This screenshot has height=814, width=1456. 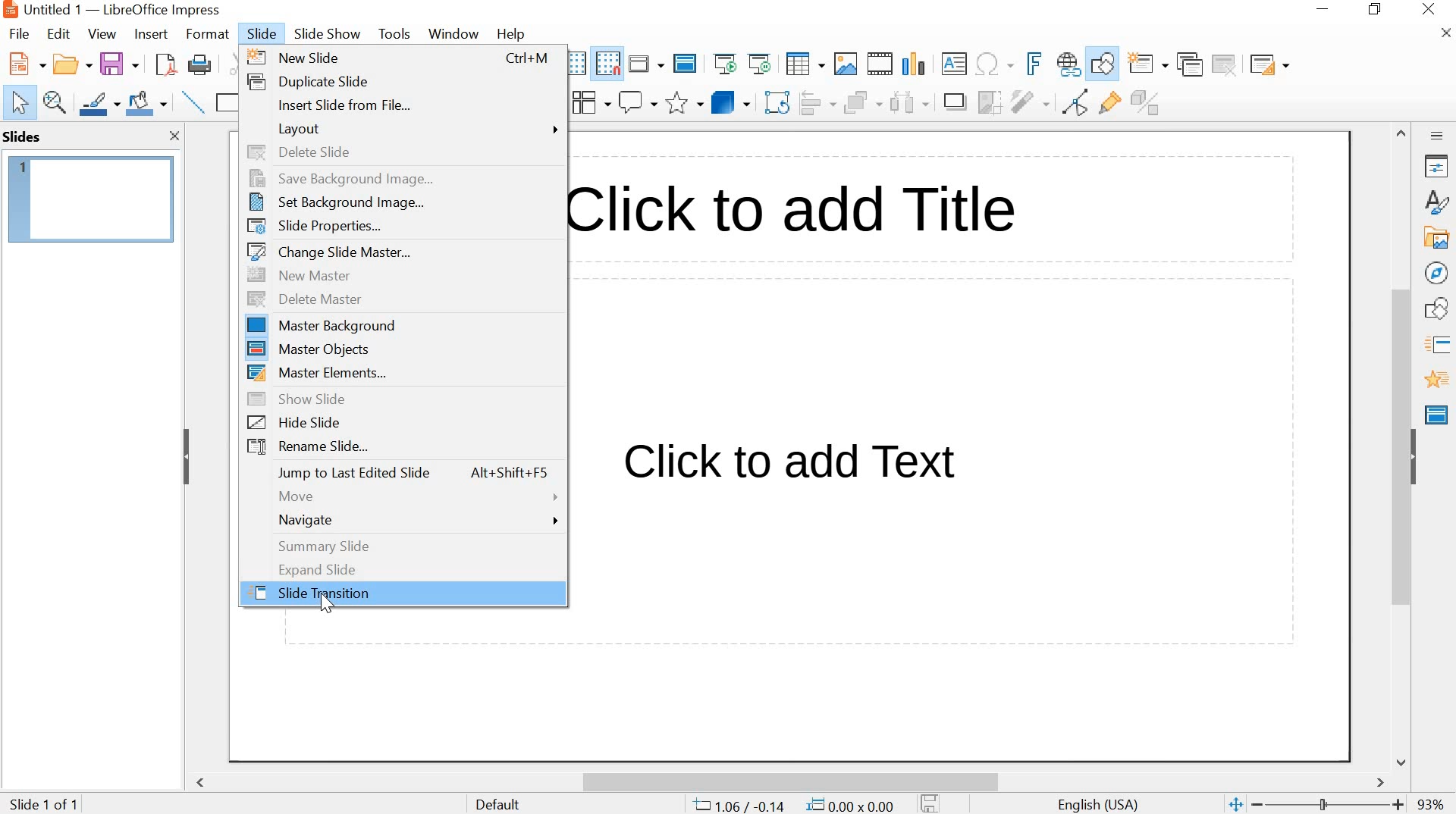 I want to click on HELP, so click(x=510, y=35).